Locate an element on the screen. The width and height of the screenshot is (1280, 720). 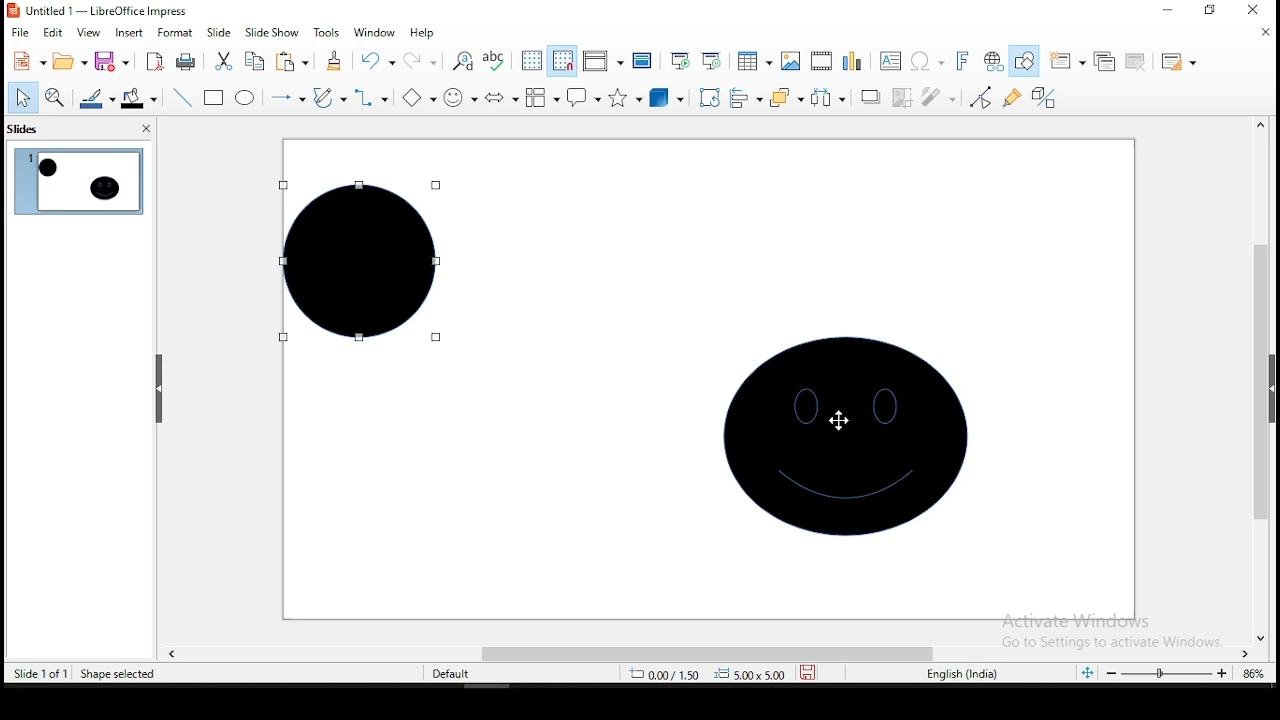
close is located at coordinates (1261, 32).